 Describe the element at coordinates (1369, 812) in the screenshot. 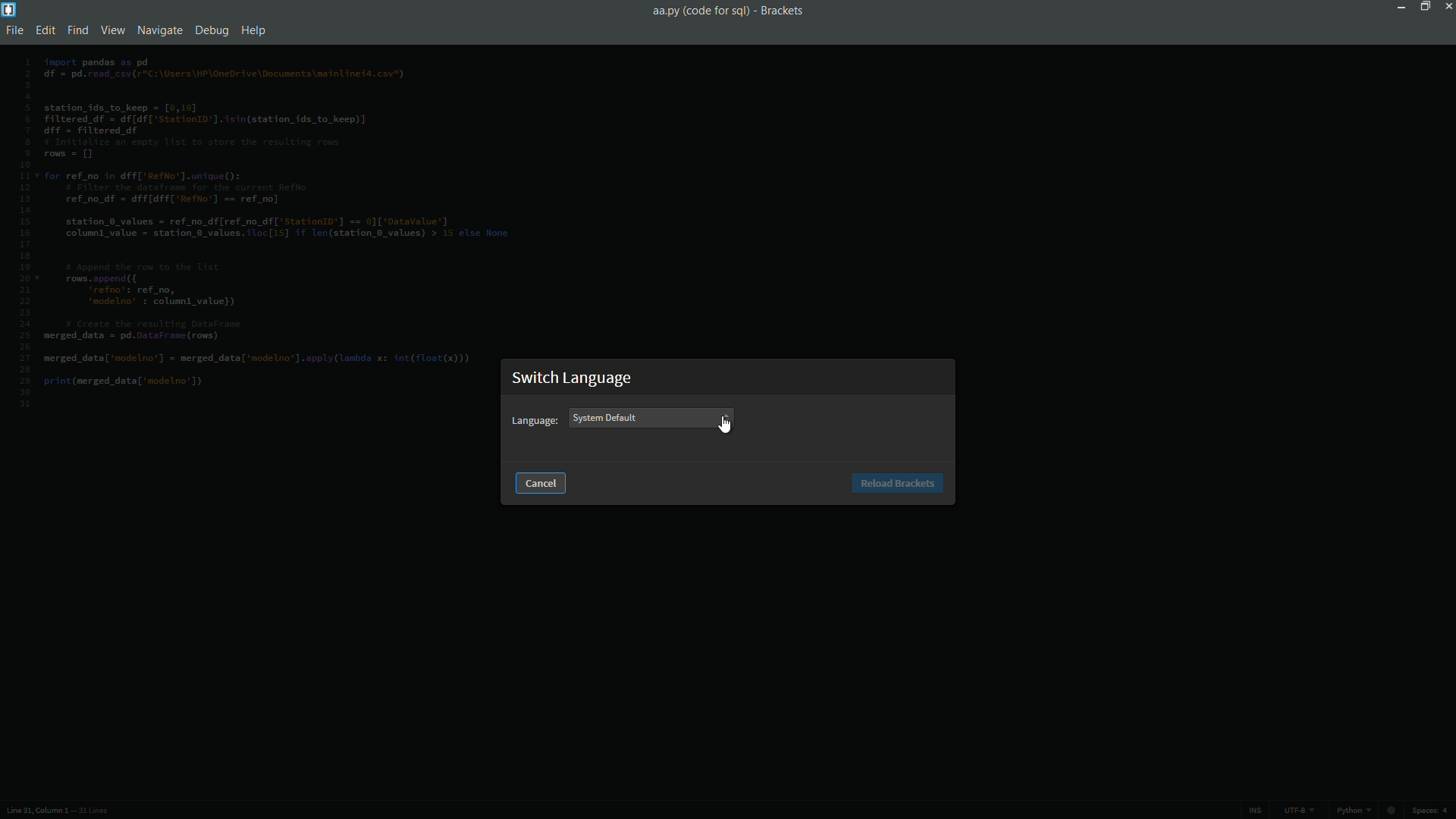

I see `python` at that location.